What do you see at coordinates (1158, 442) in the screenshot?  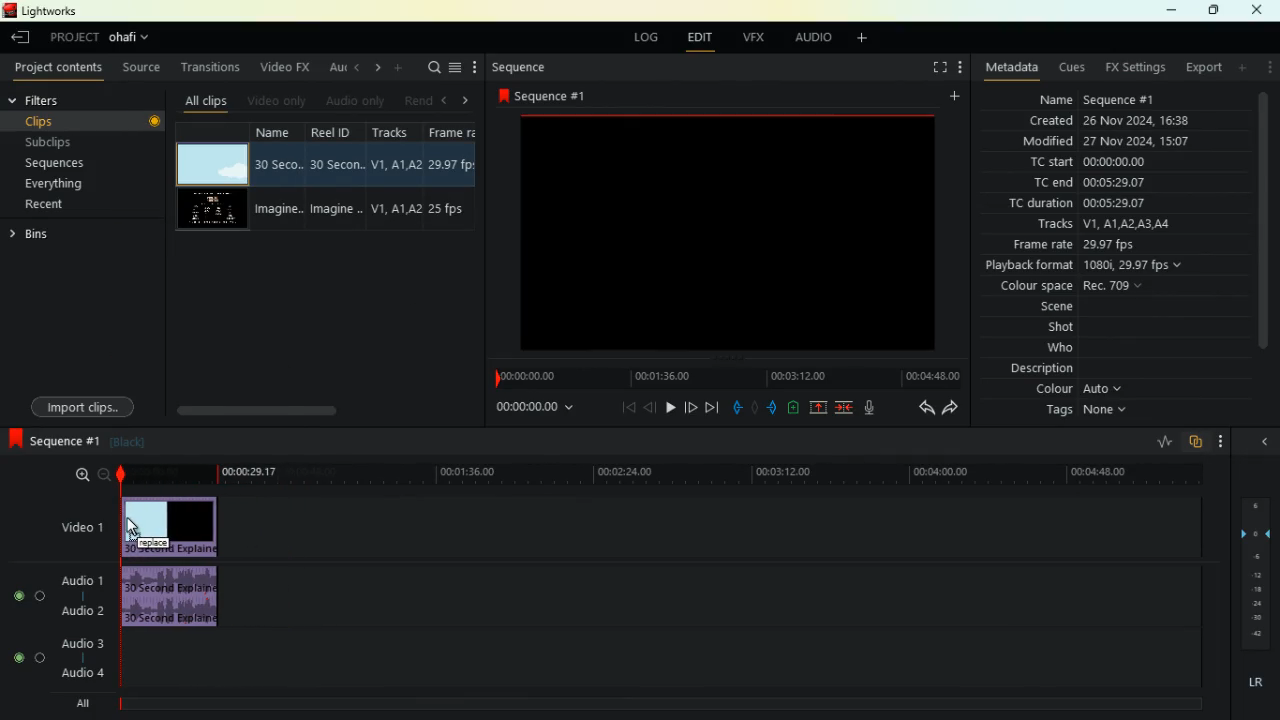 I see `rate` at bounding box center [1158, 442].